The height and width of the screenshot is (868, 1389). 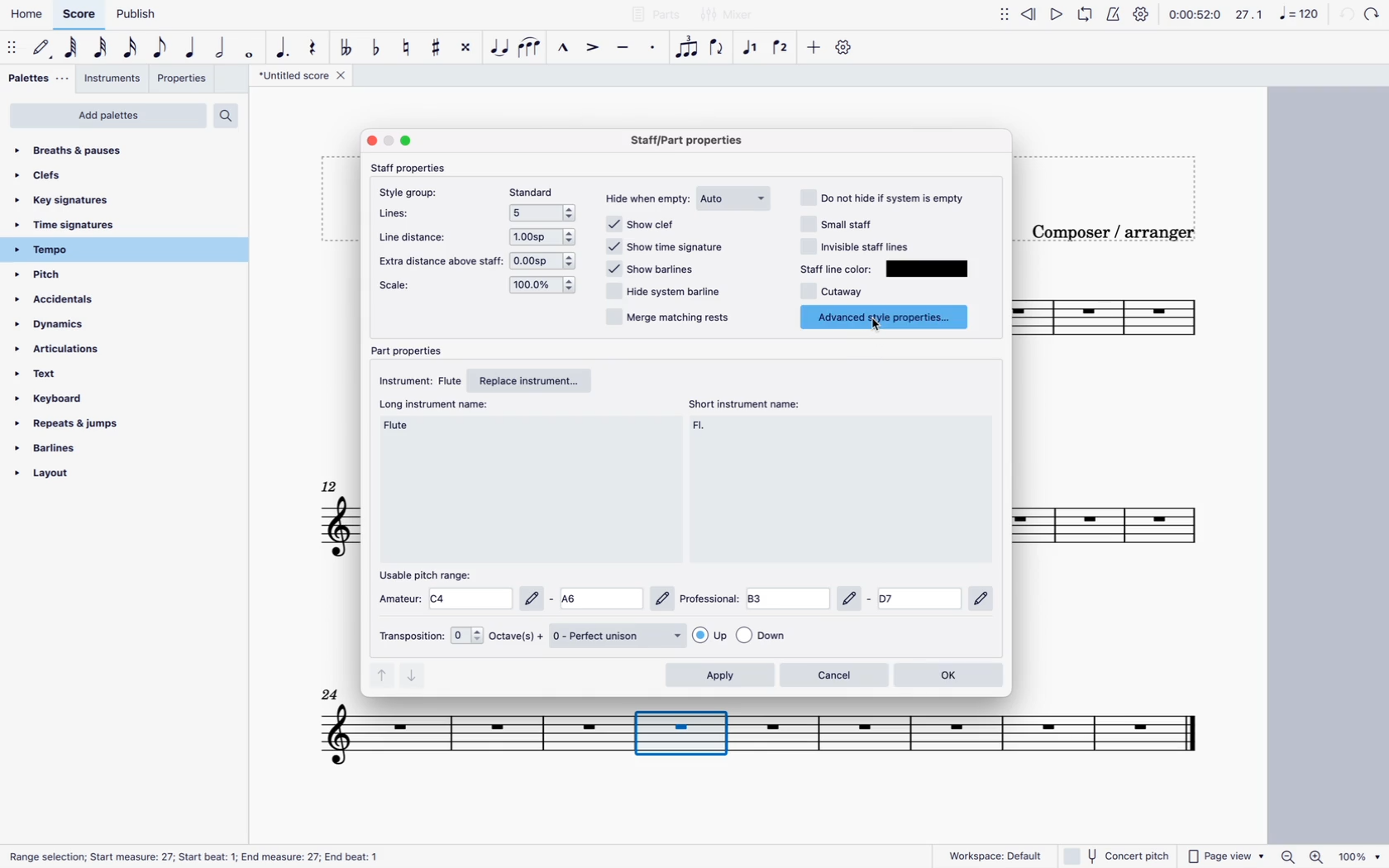 What do you see at coordinates (416, 679) in the screenshot?
I see `down` at bounding box center [416, 679].